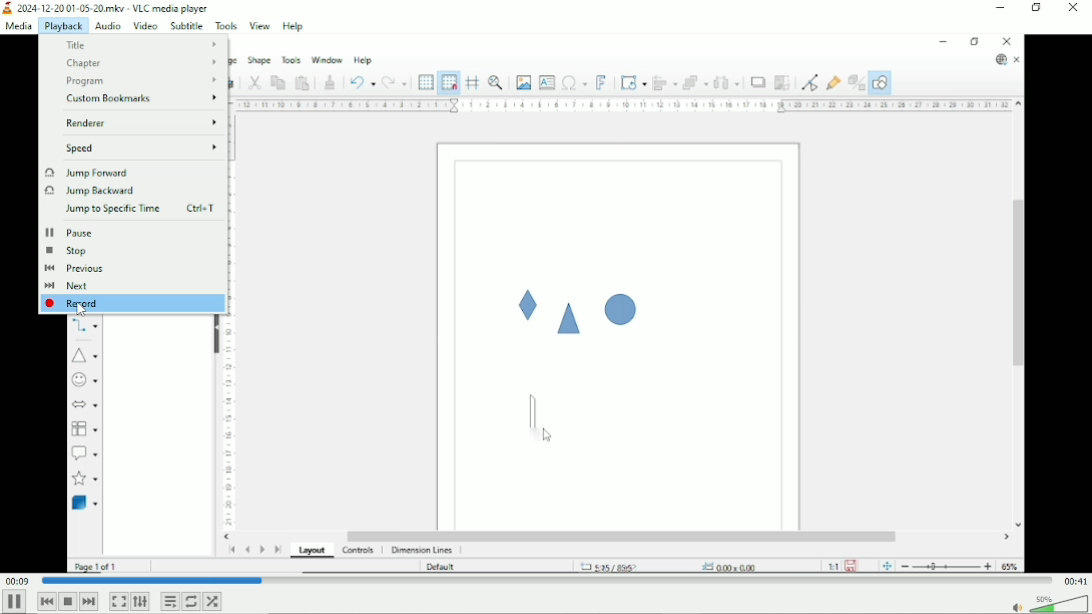 The width and height of the screenshot is (1092, 614). Describe the element at coordinates (46, 601) in the screenshot. I see `Previous` at that location.